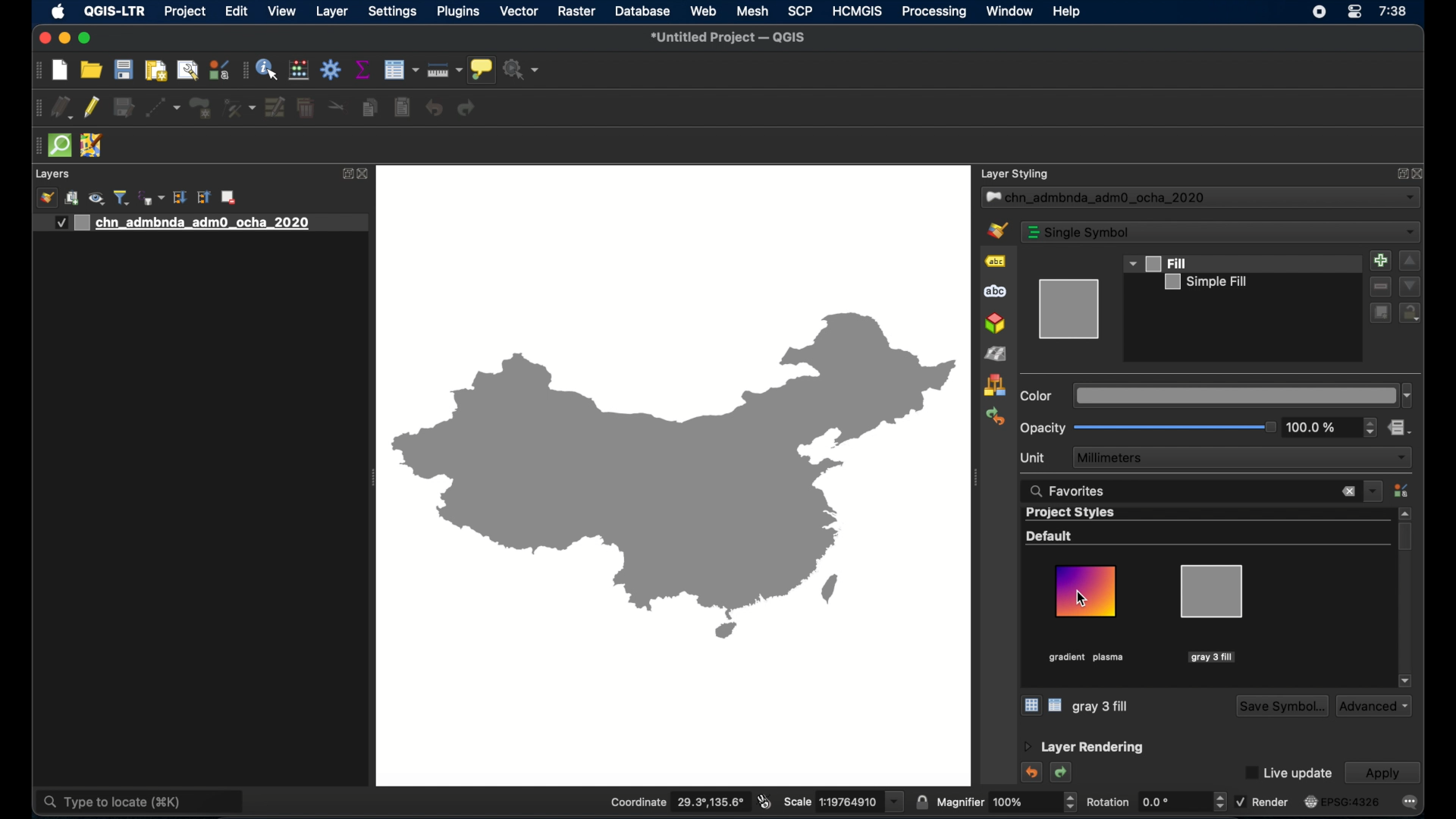 The image size is (1456, 819). What do you see at coordinates (997, 355) in the screenshot?
I see `shading renderer` at bounding box center [997, 355].